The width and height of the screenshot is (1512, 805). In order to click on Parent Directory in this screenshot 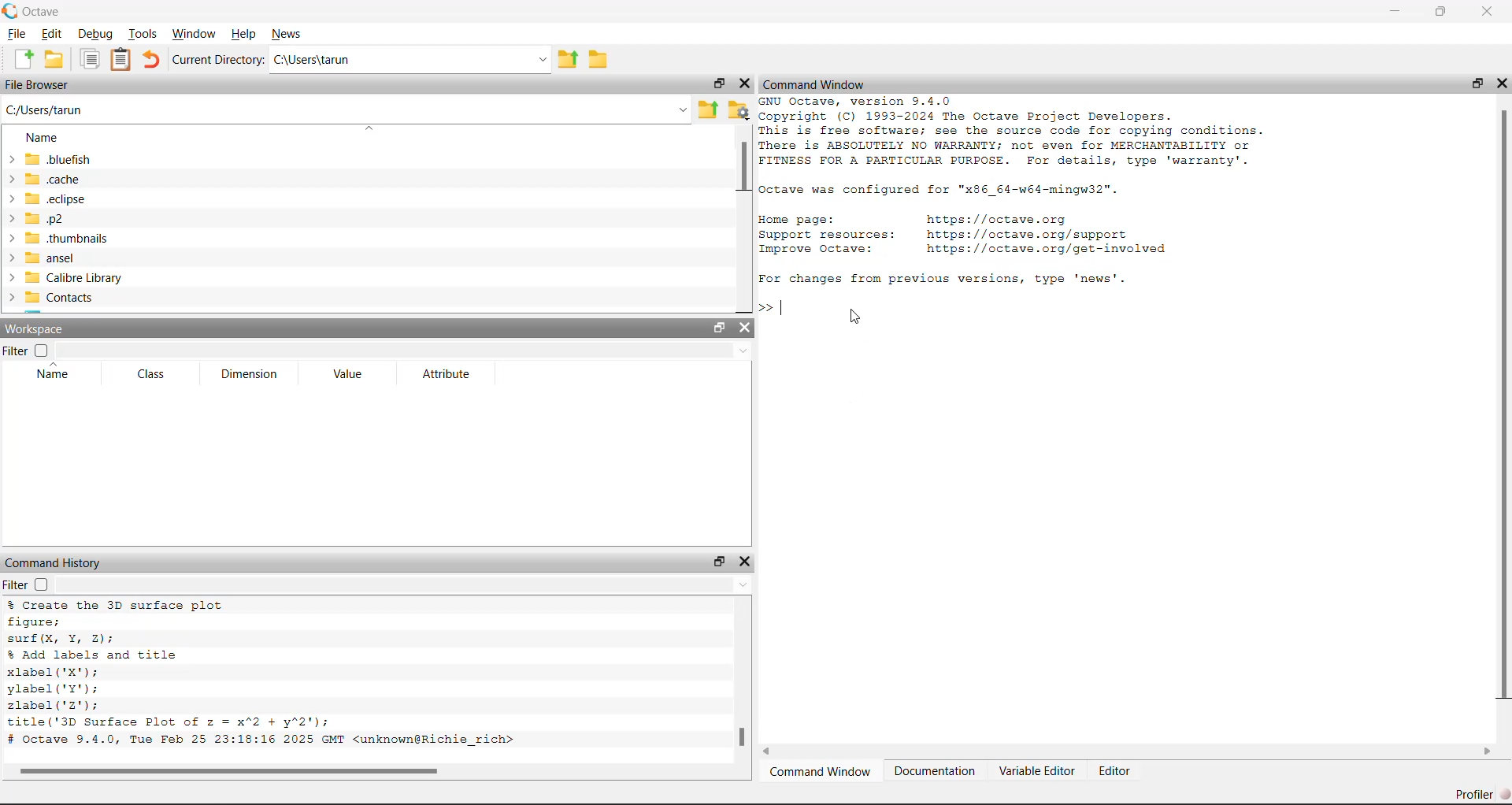, I will do `click(568, 58)`.